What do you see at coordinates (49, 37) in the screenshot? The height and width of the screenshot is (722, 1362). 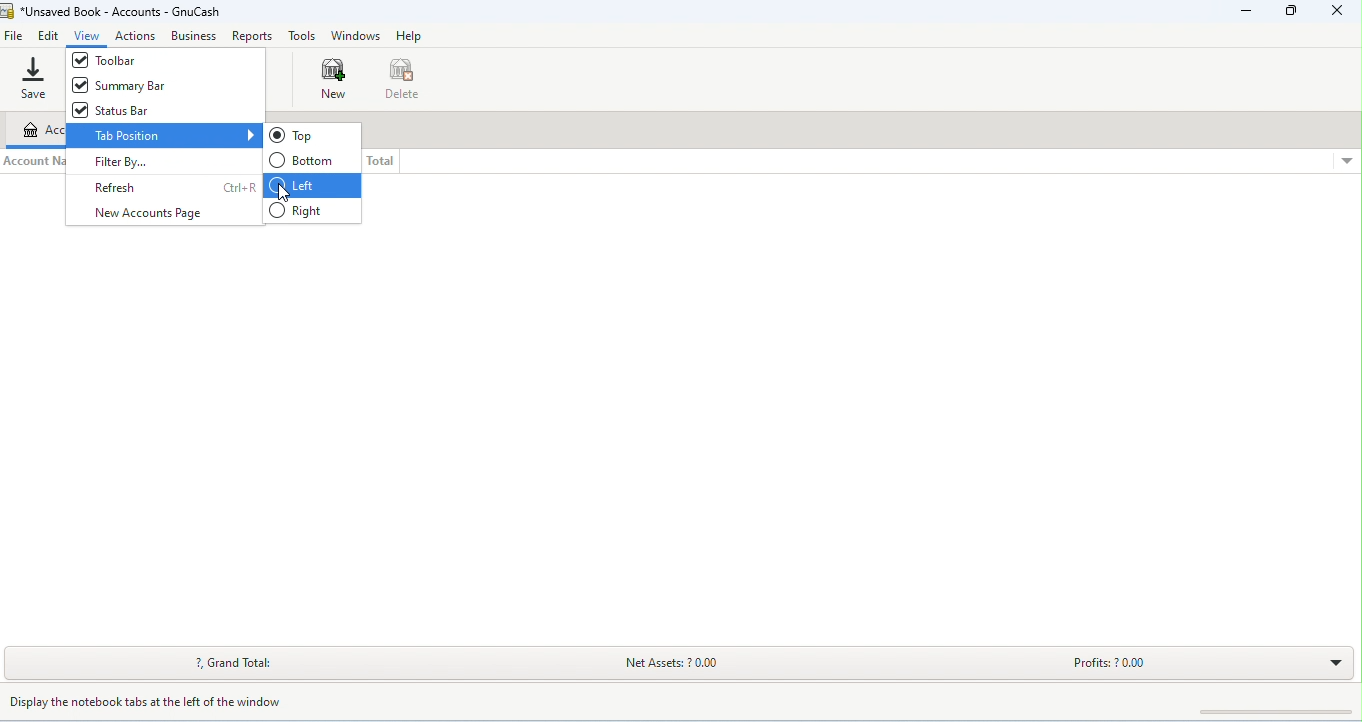 I see `edit` at bounding box center [49, 37].